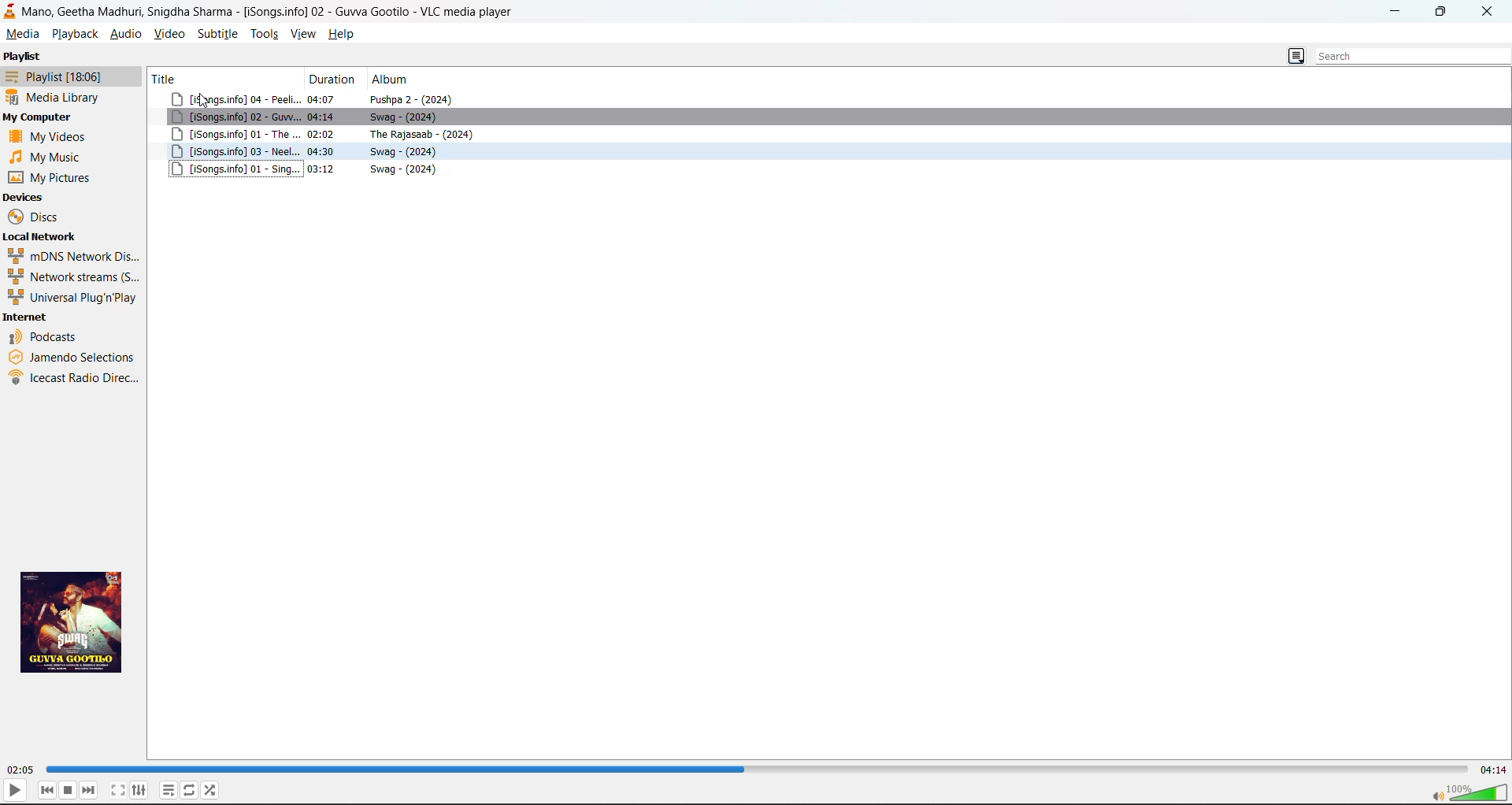  I want to click on volume, so click(1468, 792).